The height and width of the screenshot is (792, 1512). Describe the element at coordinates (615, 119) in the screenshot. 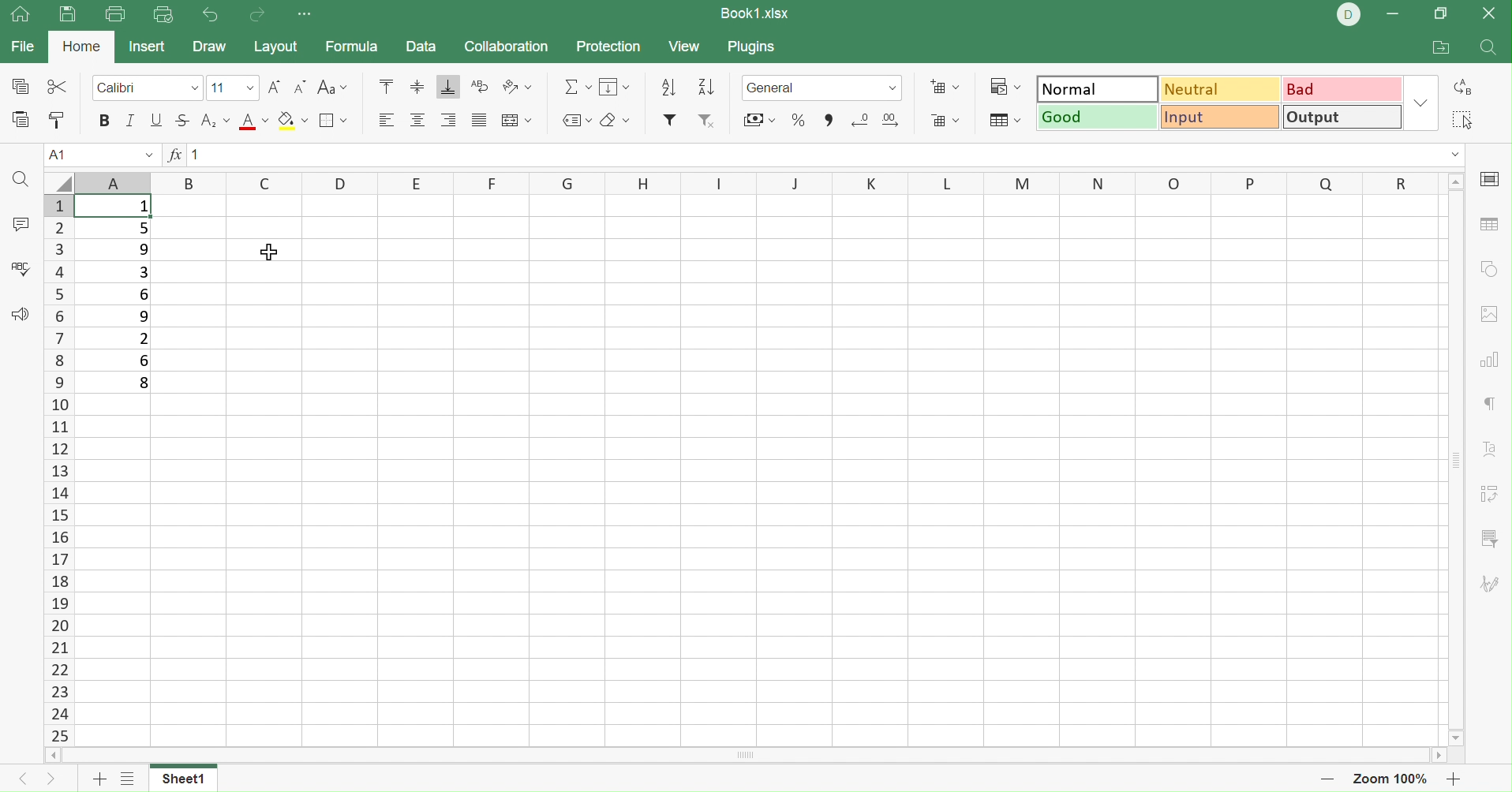

I see `Clear` at that location.